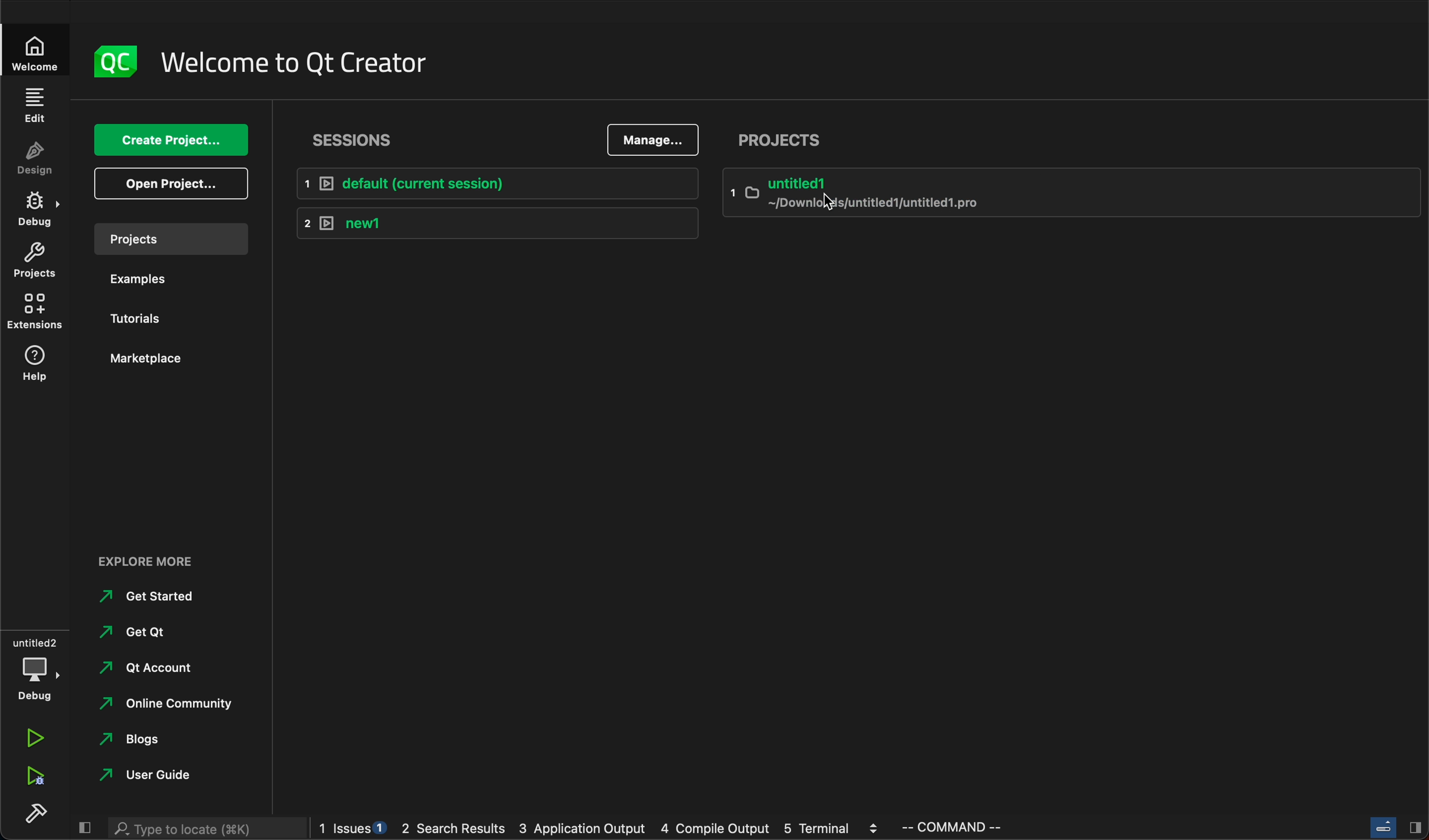  What do you see at coordinates (663, 828) in the screenshot?
I see `logs` at bounding box center [663, 828].